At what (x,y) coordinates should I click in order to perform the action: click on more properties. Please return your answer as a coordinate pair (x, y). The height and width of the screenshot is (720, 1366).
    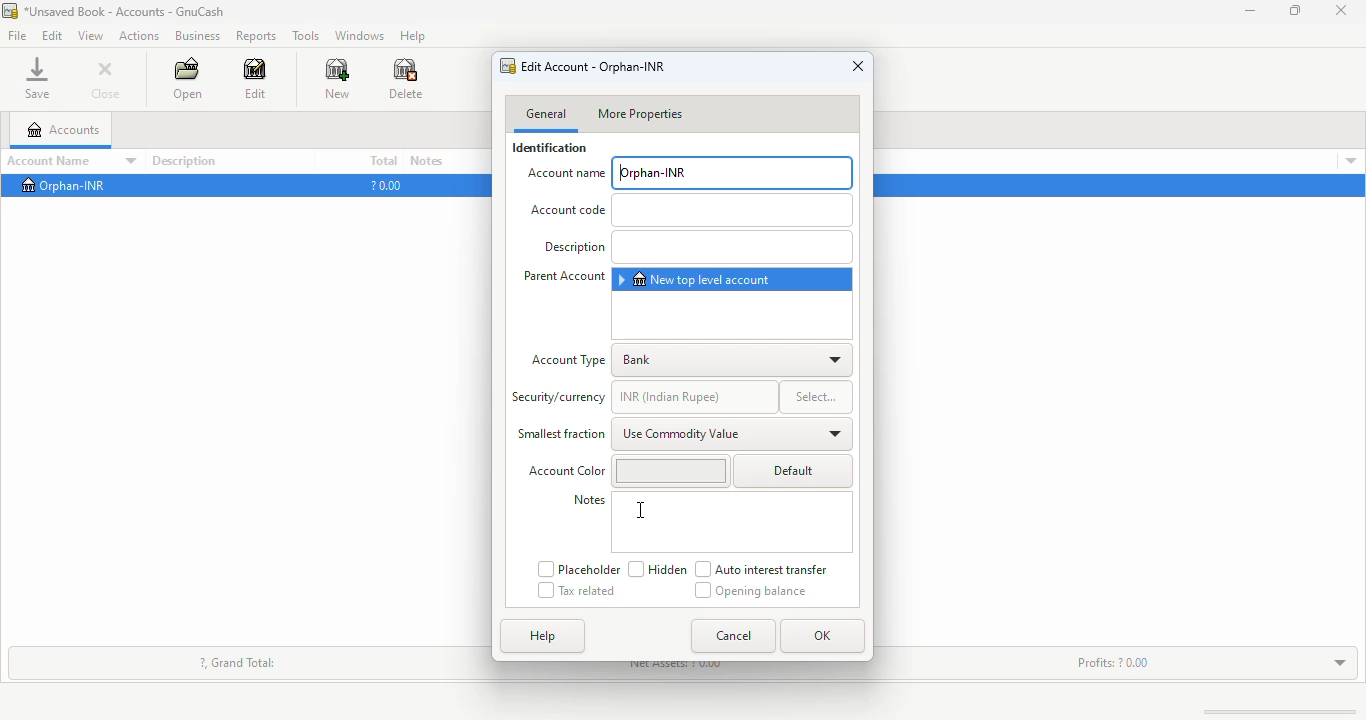
    Looking at the image, I should click on (640, 114).